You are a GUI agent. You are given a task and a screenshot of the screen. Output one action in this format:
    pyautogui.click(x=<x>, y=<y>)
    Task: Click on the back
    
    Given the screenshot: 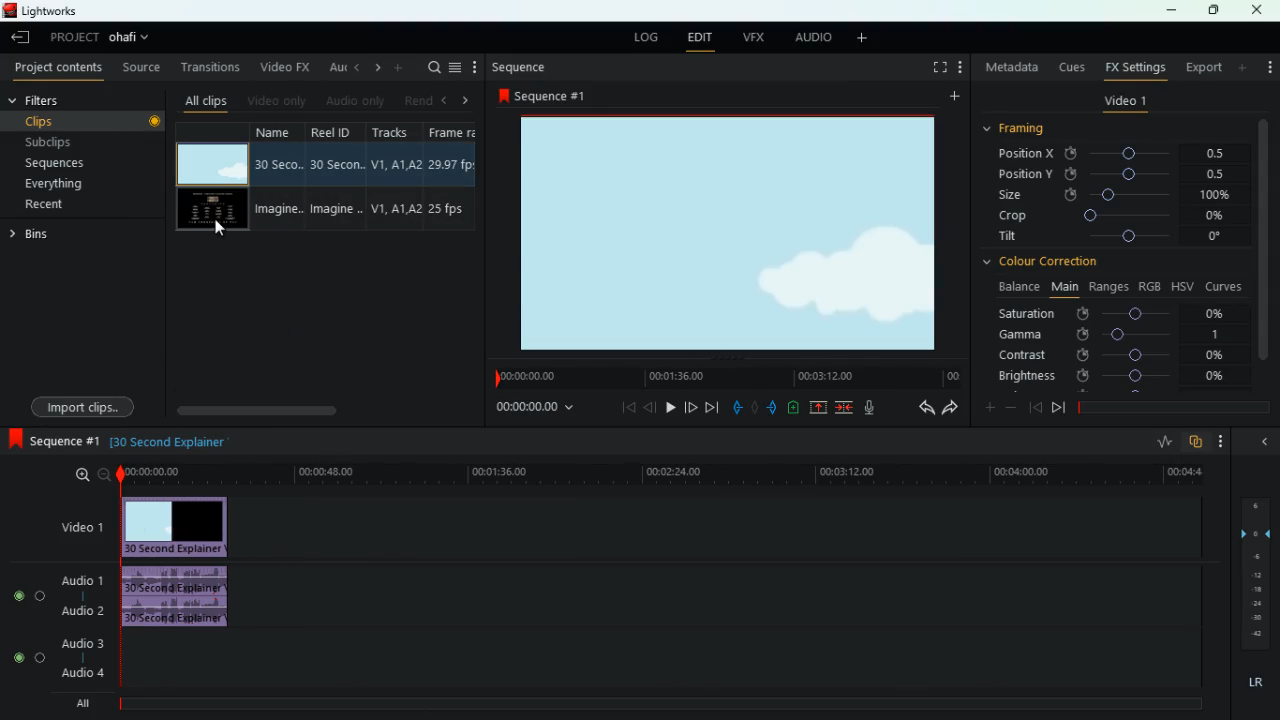 What is the action you would take?
    pyautogui.click(x=1035, y=407)
    